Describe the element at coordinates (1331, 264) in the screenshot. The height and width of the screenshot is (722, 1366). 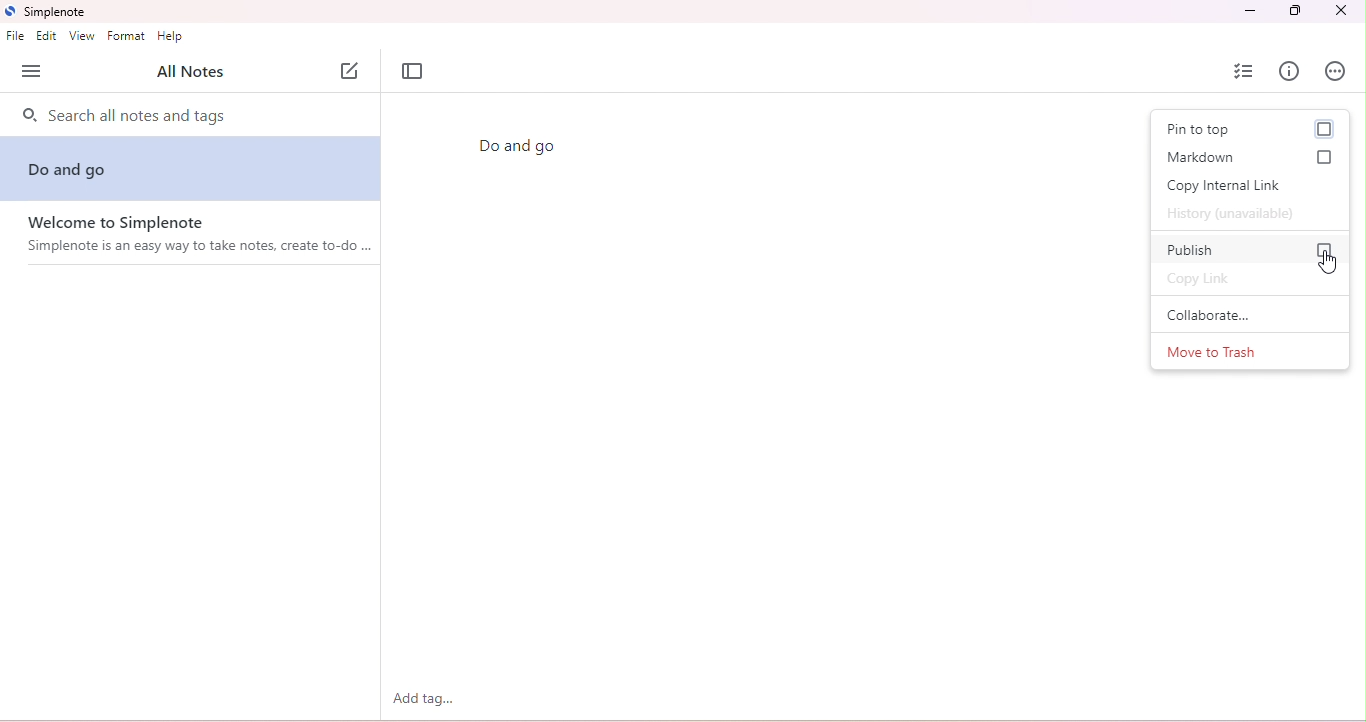
I see `cursor` at that location.